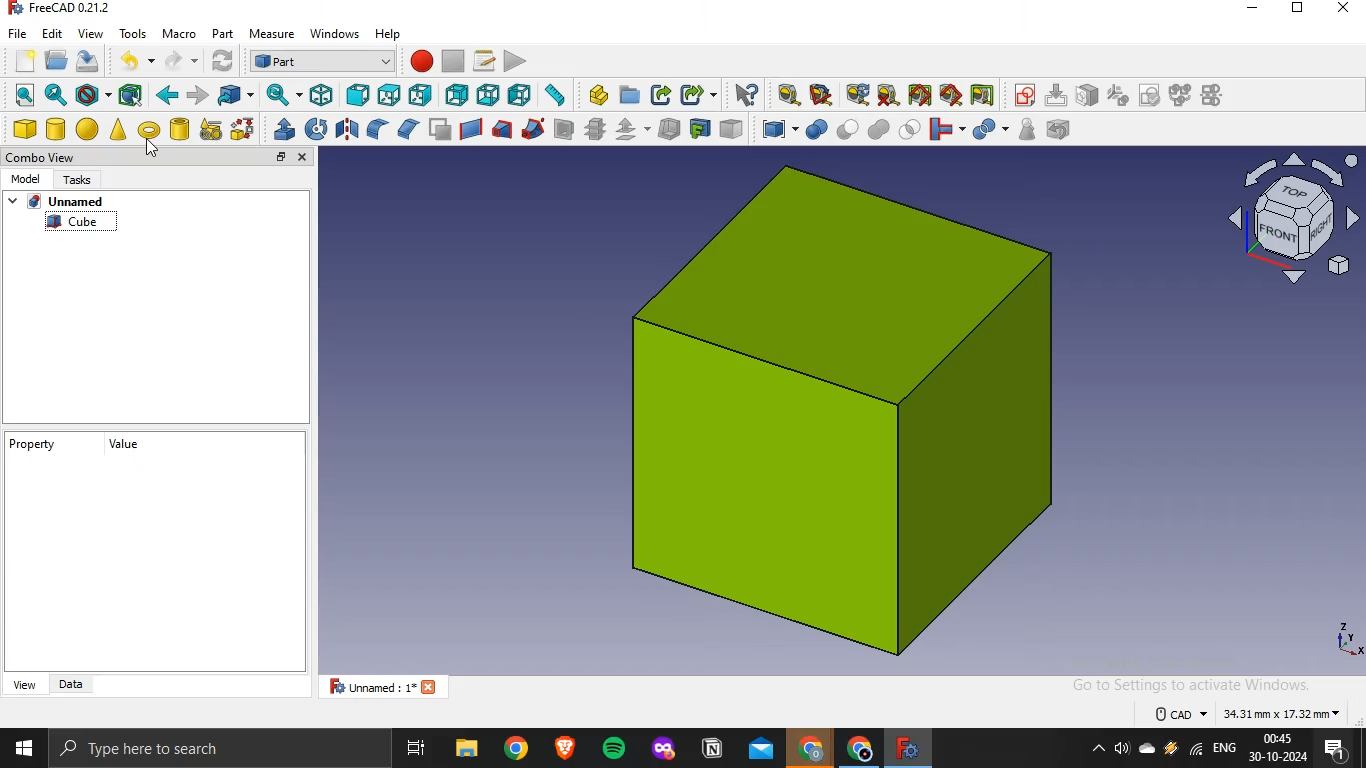 This screenshot has height=768, width=1366. Describe the element at coordinates (878, 129) in the screenshot. I see `union` at that location.